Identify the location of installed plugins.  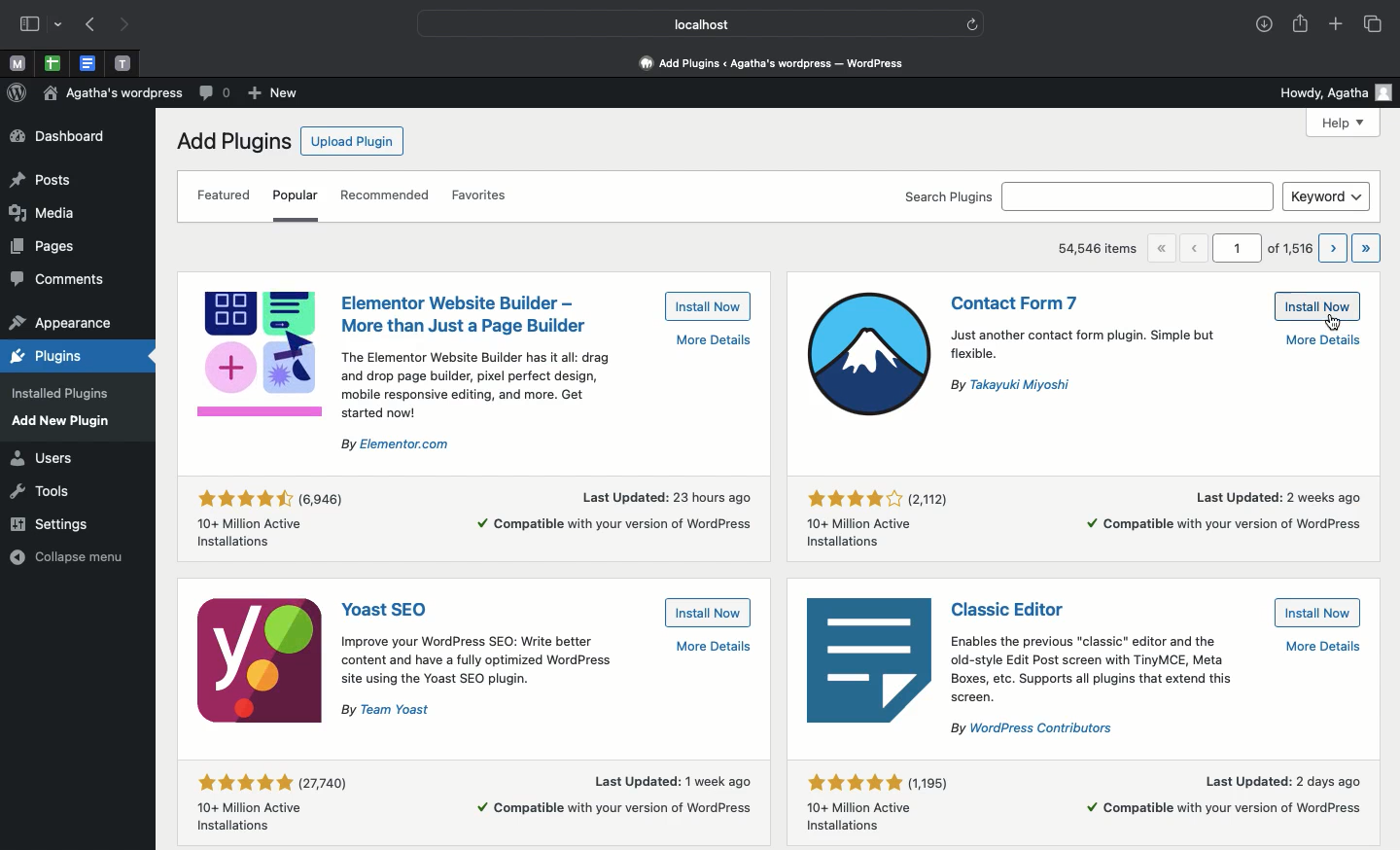
(58, 395).